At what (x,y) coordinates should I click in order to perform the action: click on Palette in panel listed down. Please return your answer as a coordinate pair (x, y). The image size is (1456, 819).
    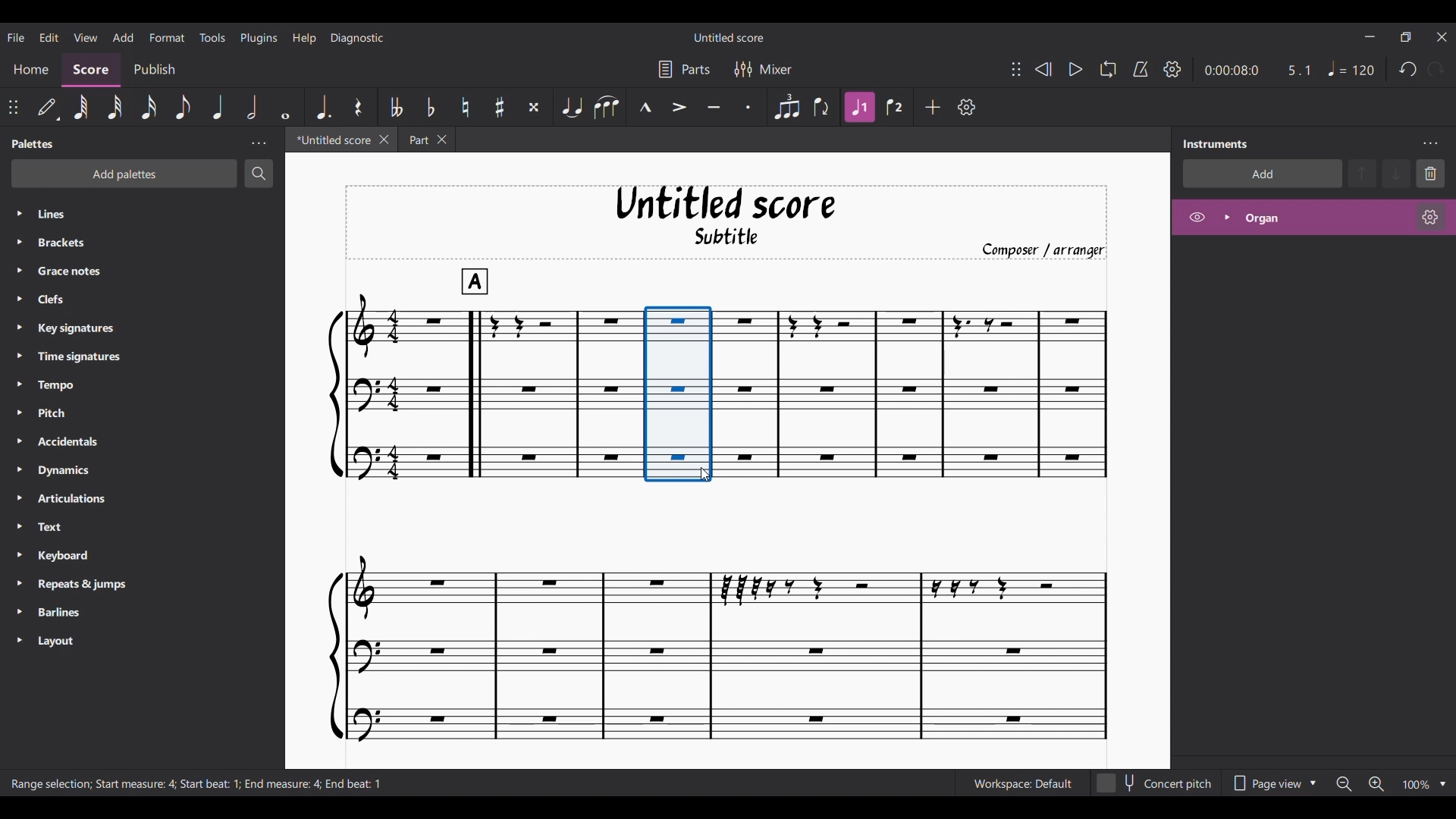
    Looking at the image, I should click on (157, 429).